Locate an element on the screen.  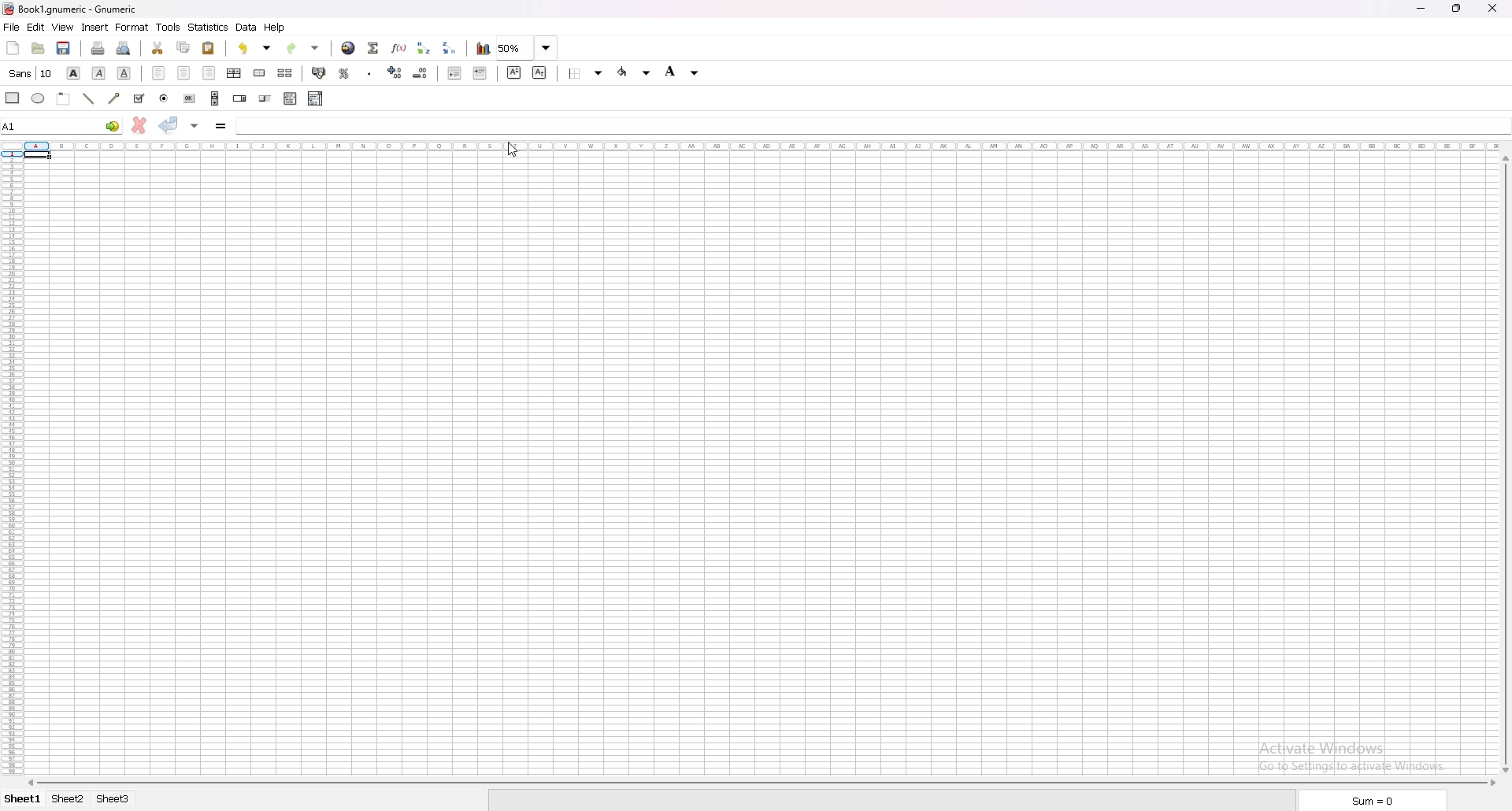
merge cells is located at coordinates (259, 73).